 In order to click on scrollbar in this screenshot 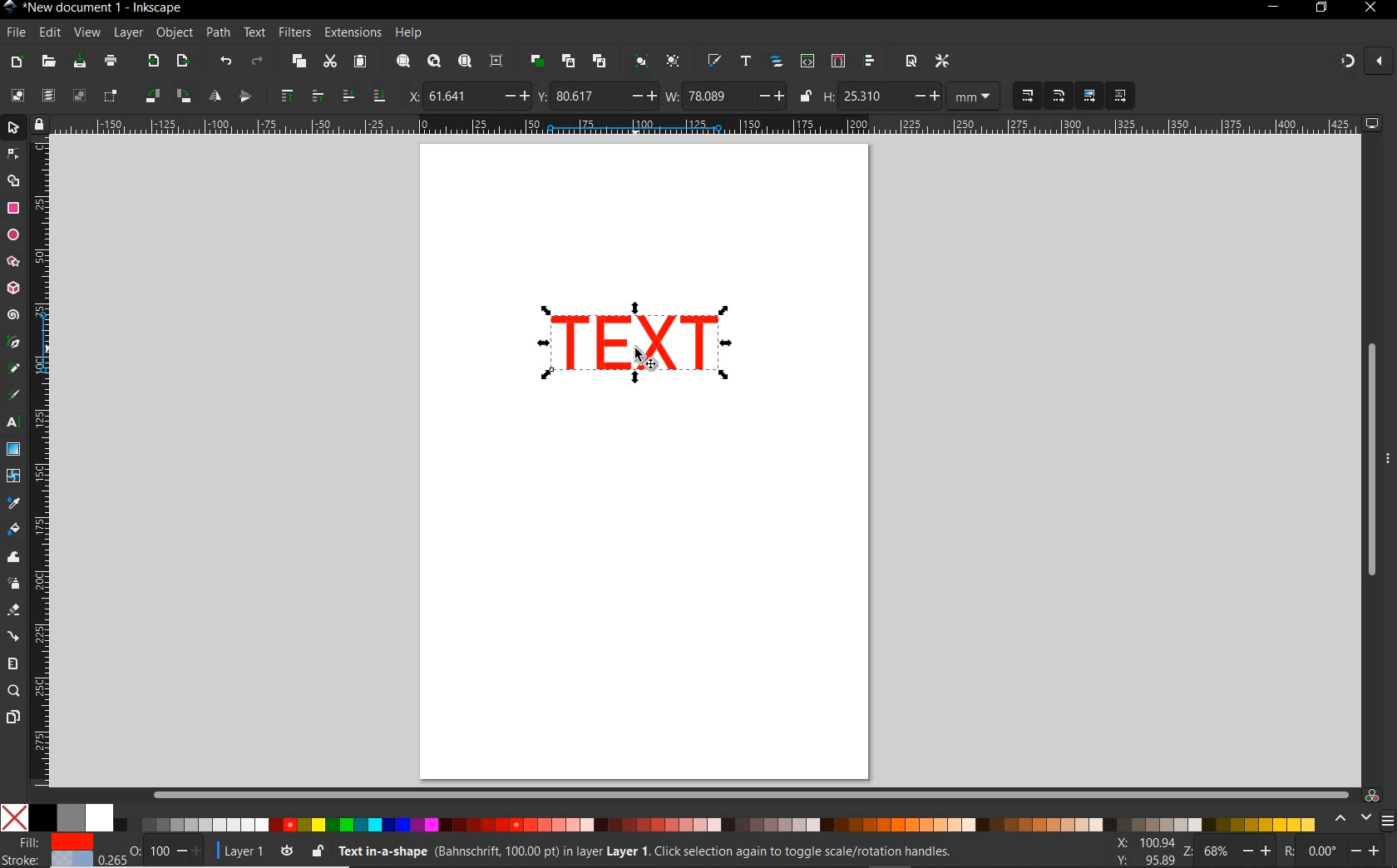, I will do `click(751, 794)`.